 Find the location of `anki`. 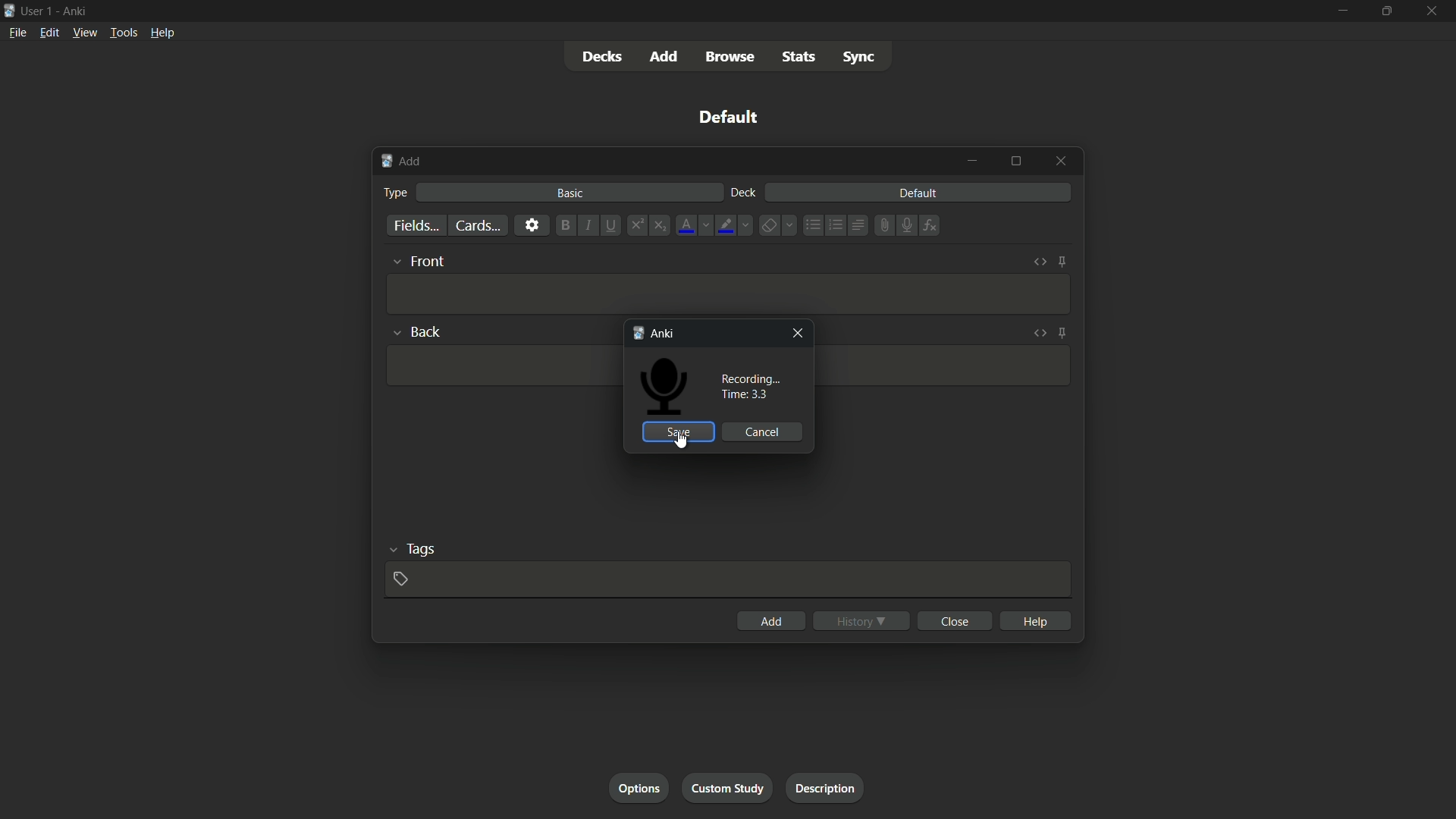

anki is located at coordinates (658, 334).